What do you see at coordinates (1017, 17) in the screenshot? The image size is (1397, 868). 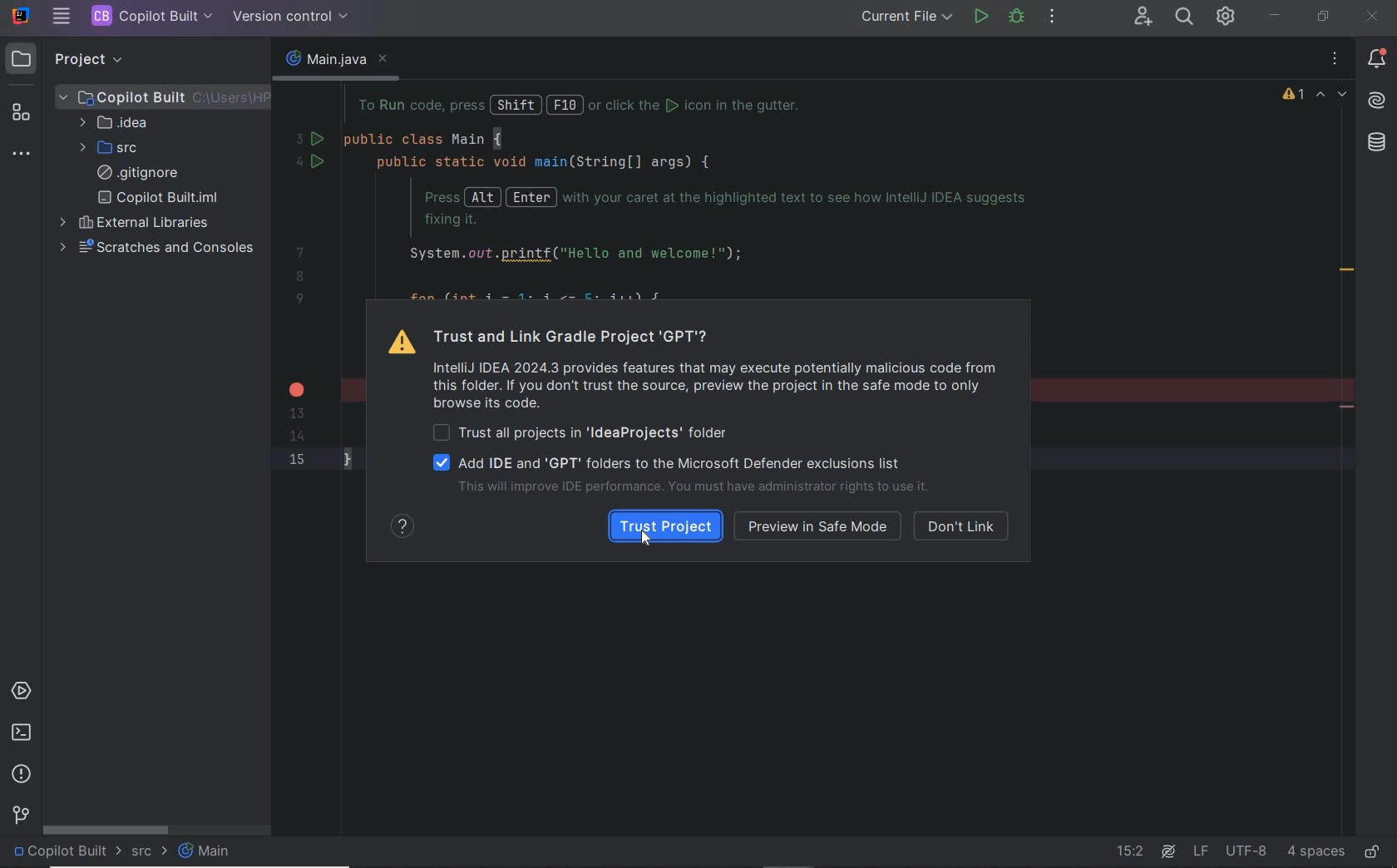 I see `DEBUG` at bounding box center [1017, 17].